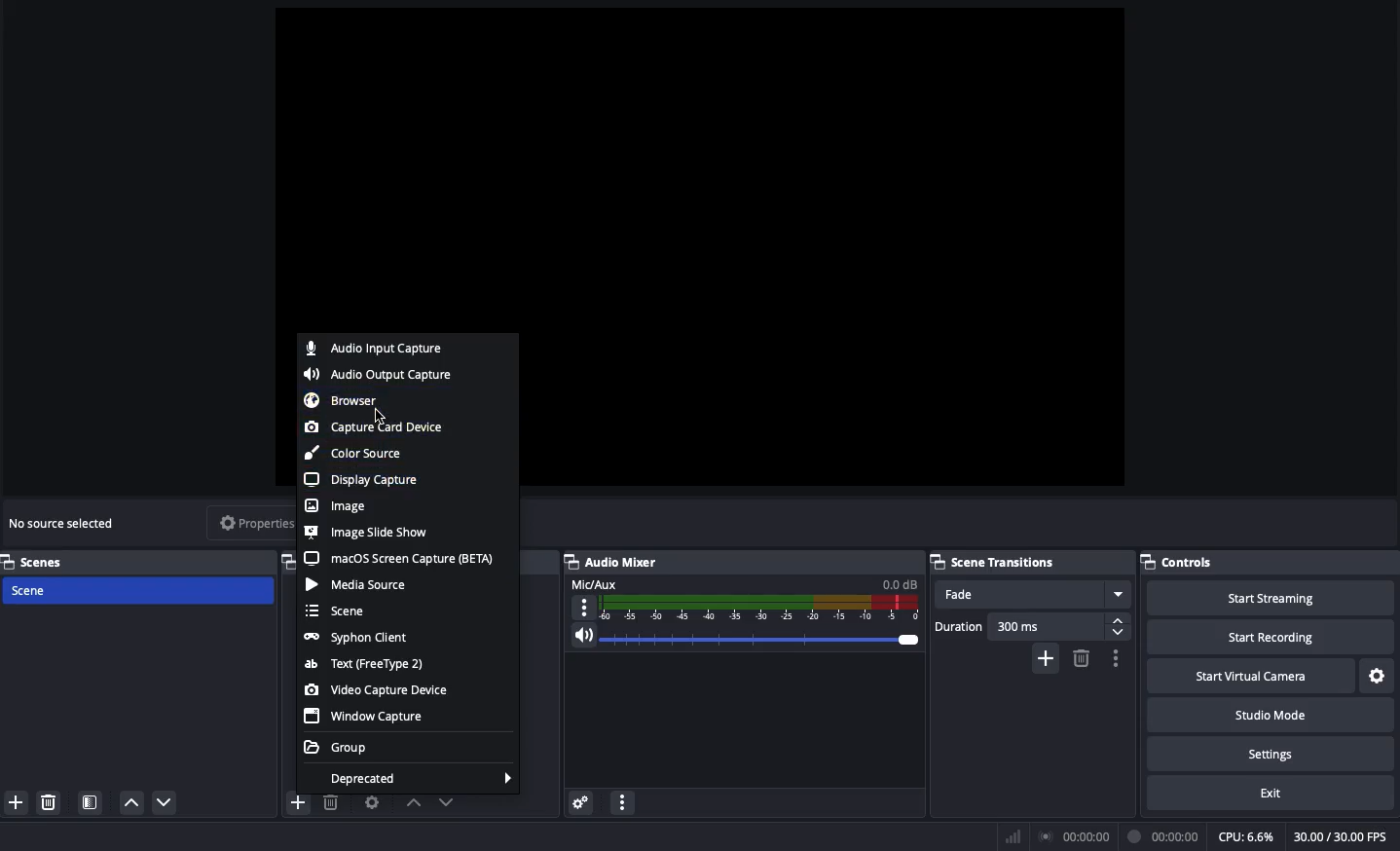 The image size is (1400, 851). What do you see at coordinates (1271, 753) in the screenshot?
I see `Settings` at bounding box center [1271, 753].